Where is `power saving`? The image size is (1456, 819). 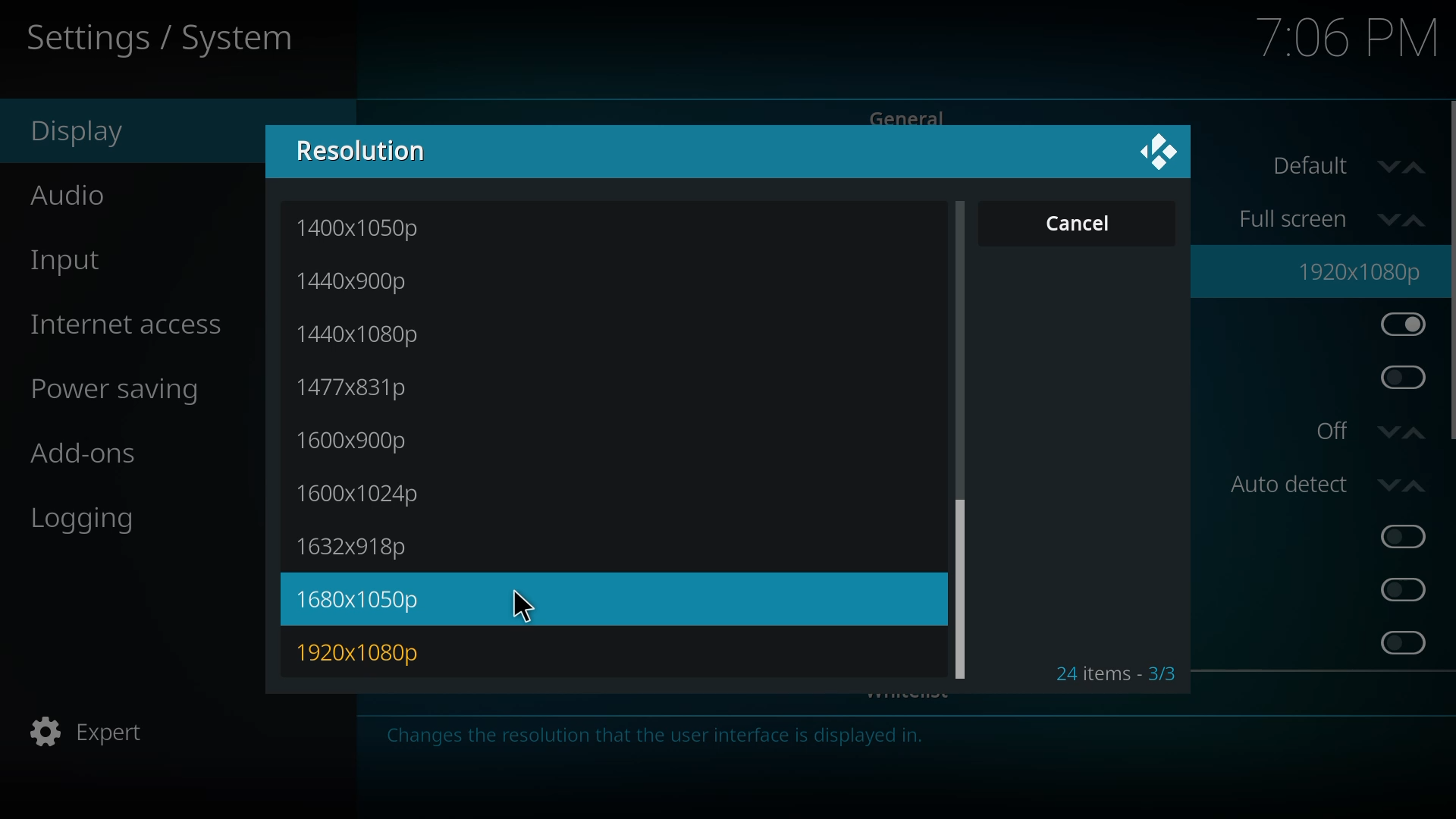 power saving is located at coordinates (130, 392).